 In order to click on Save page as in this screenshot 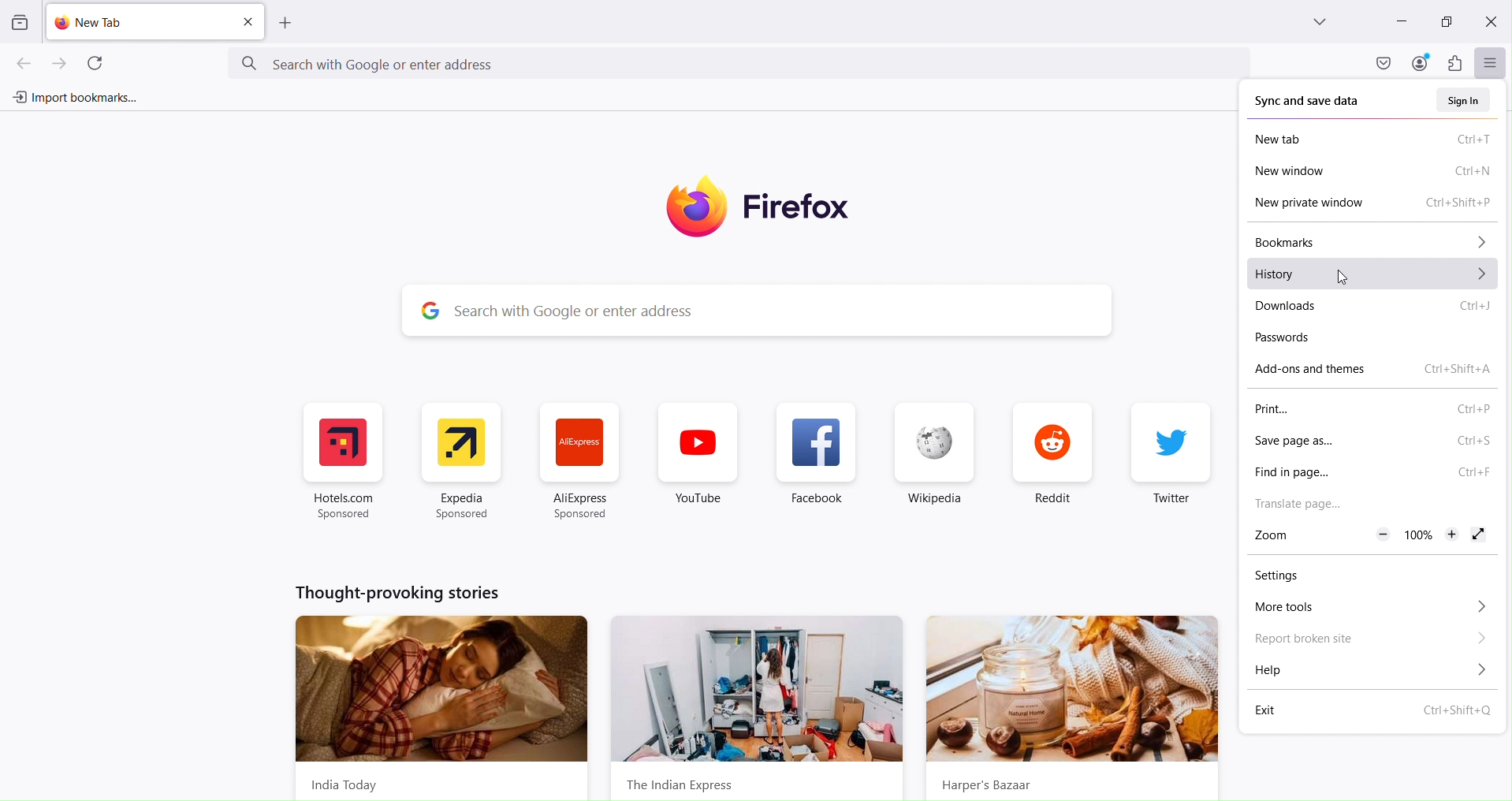, I will do `click(1371, 441)`.